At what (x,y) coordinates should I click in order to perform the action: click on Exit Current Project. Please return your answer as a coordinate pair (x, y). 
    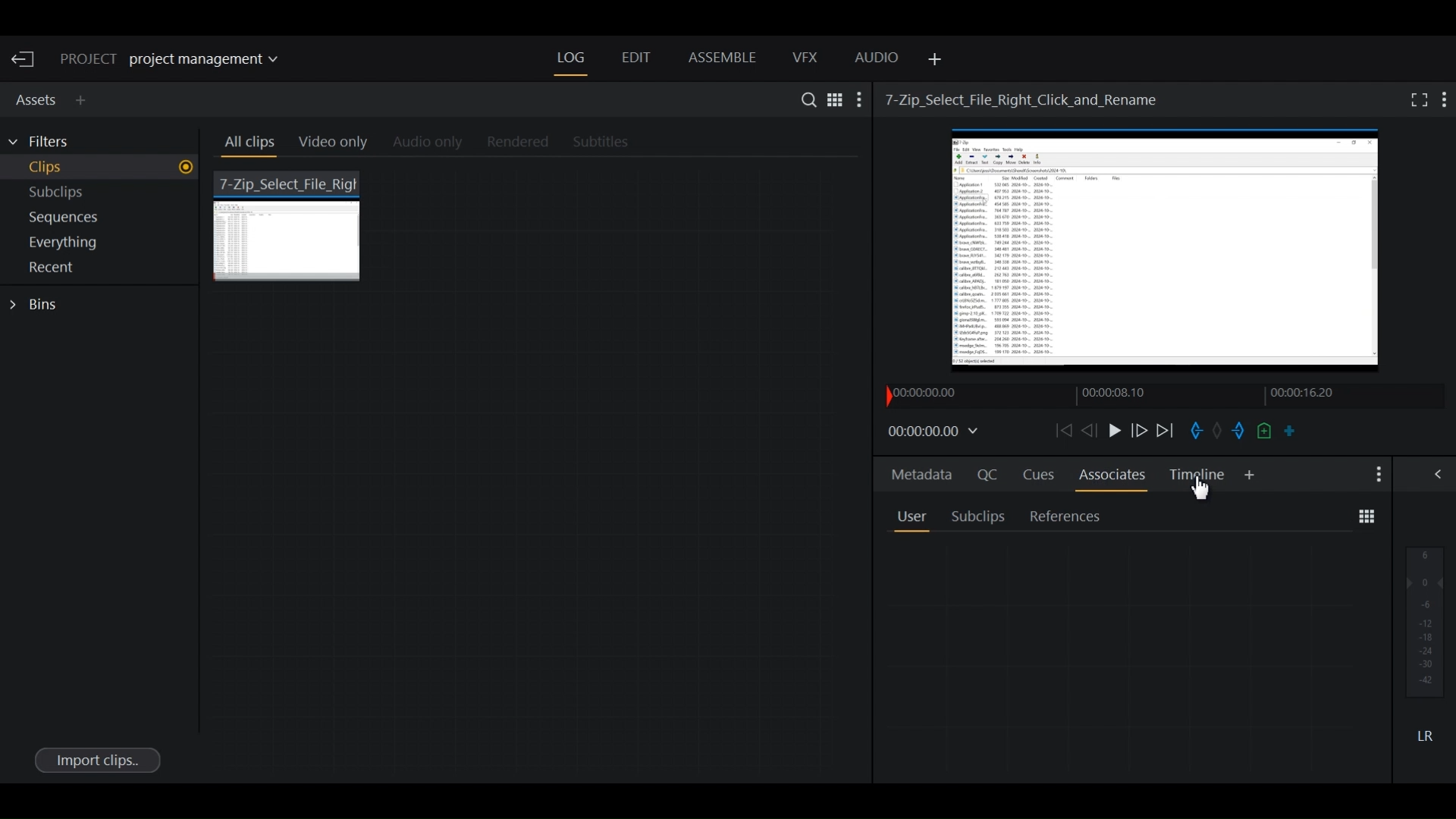
    Looking at the image, I should click on (26, 60).